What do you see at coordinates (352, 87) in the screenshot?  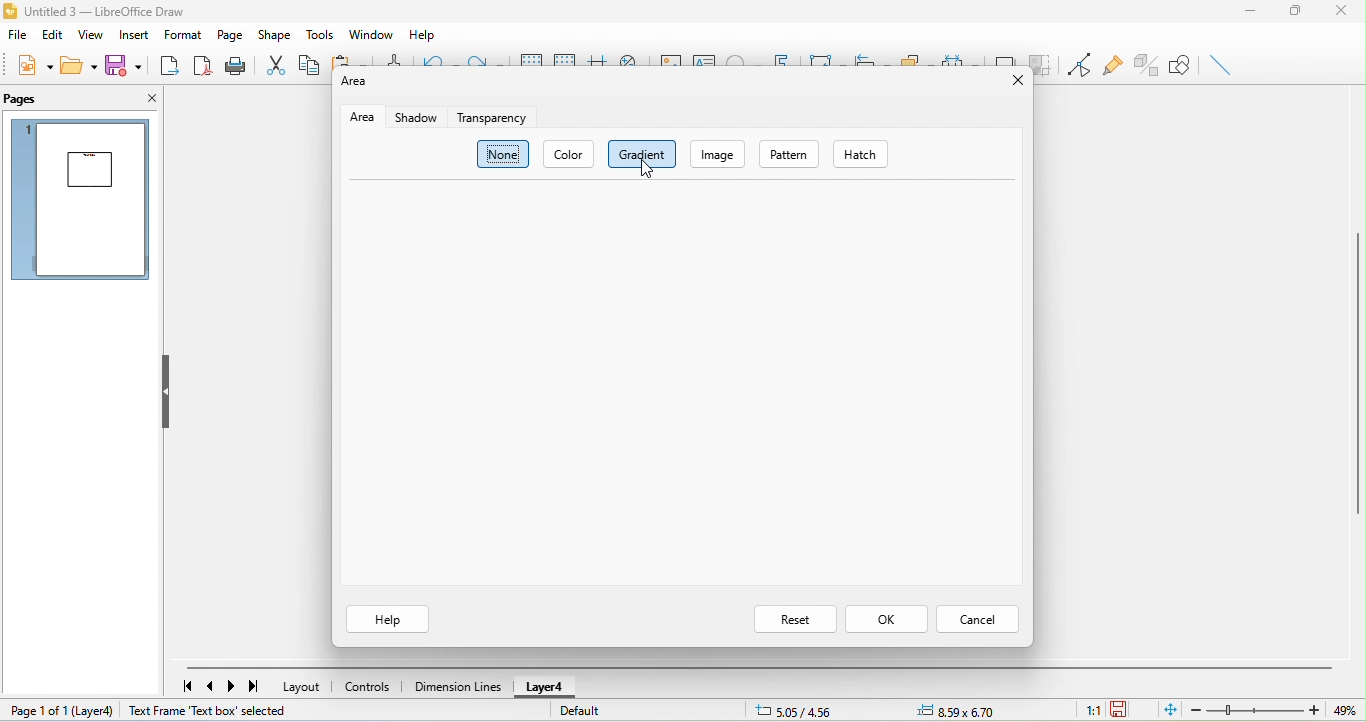 I see `area` at bounding box center [352, 87].